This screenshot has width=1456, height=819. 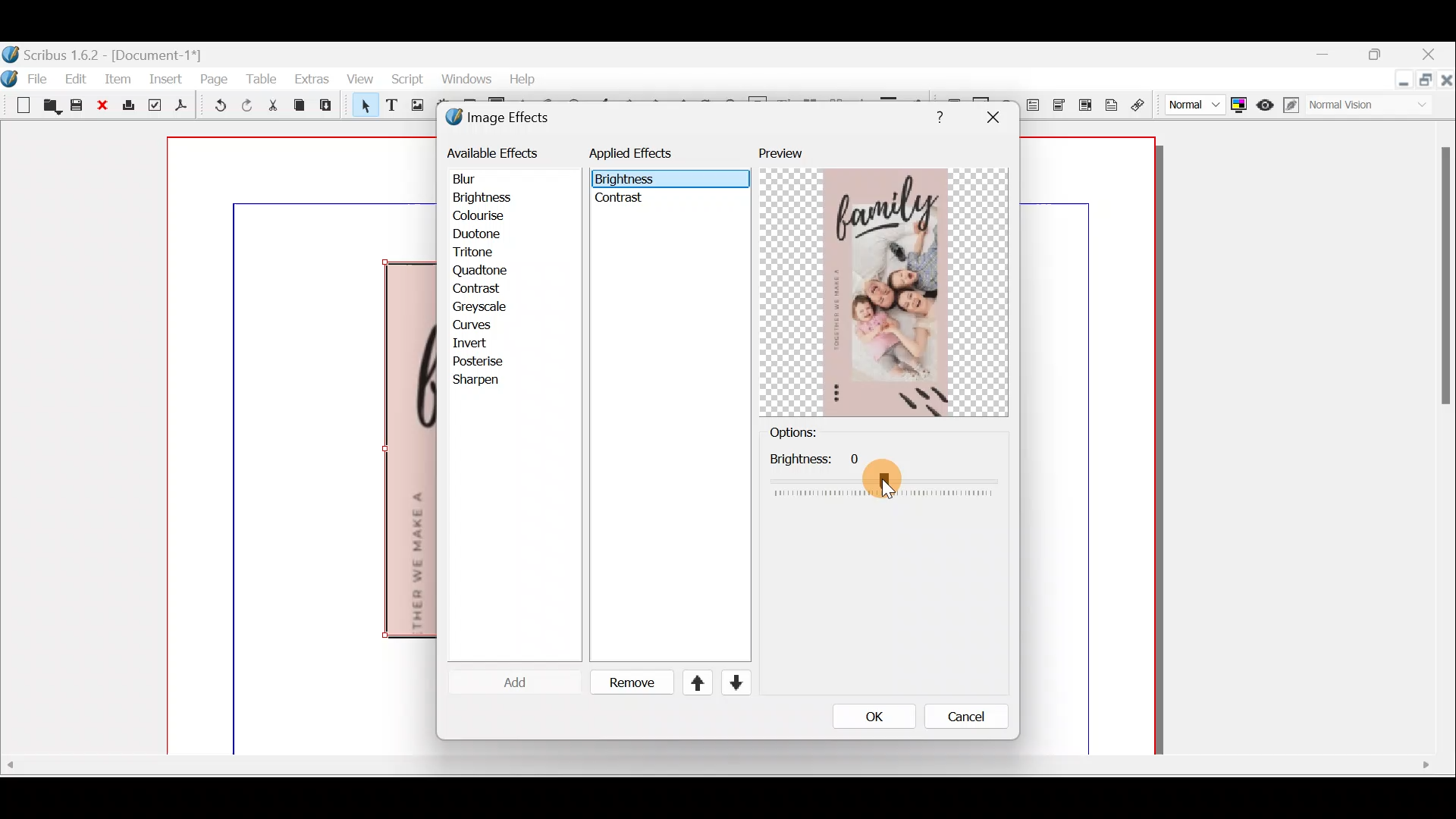 What do you see at coordinates (300, 105) in the screenshot?
I see `Copy` at bounding box center [300, 105].